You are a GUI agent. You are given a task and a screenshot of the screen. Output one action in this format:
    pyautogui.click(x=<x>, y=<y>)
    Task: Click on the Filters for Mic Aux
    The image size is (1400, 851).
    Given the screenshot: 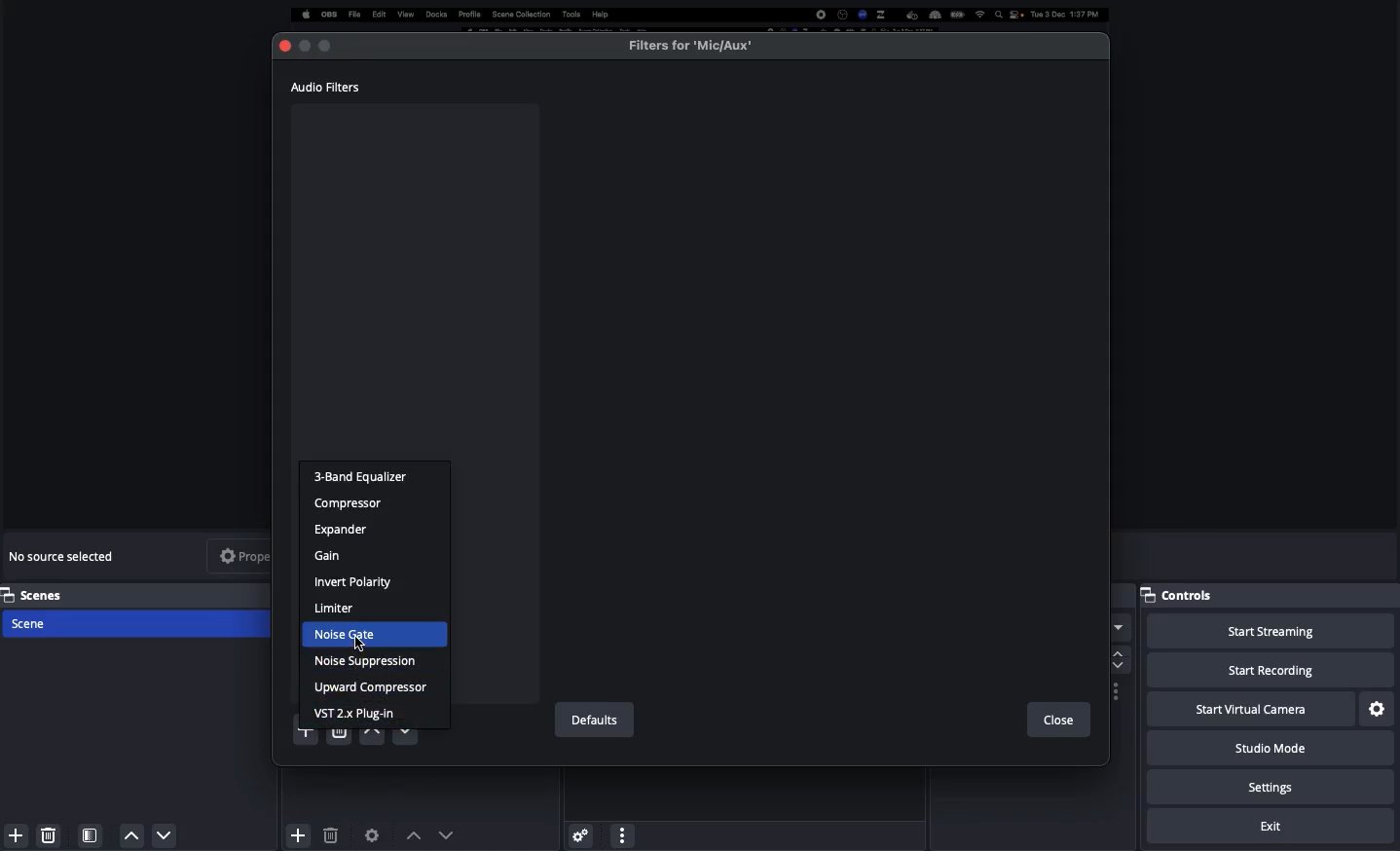 What is the action you would take?
    pyautogui.click(x=691, y=45)
    